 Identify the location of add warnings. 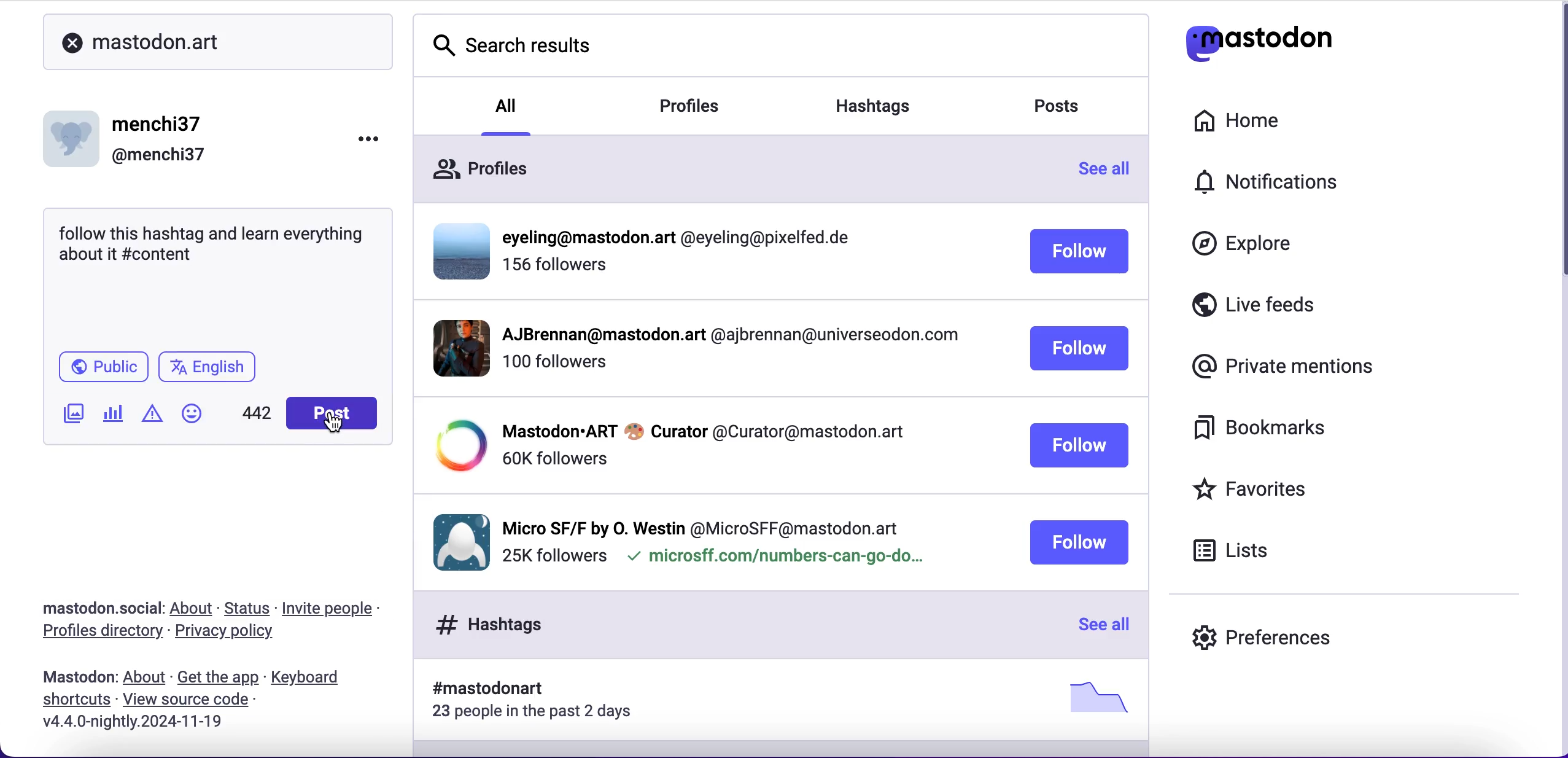
(152, 418).